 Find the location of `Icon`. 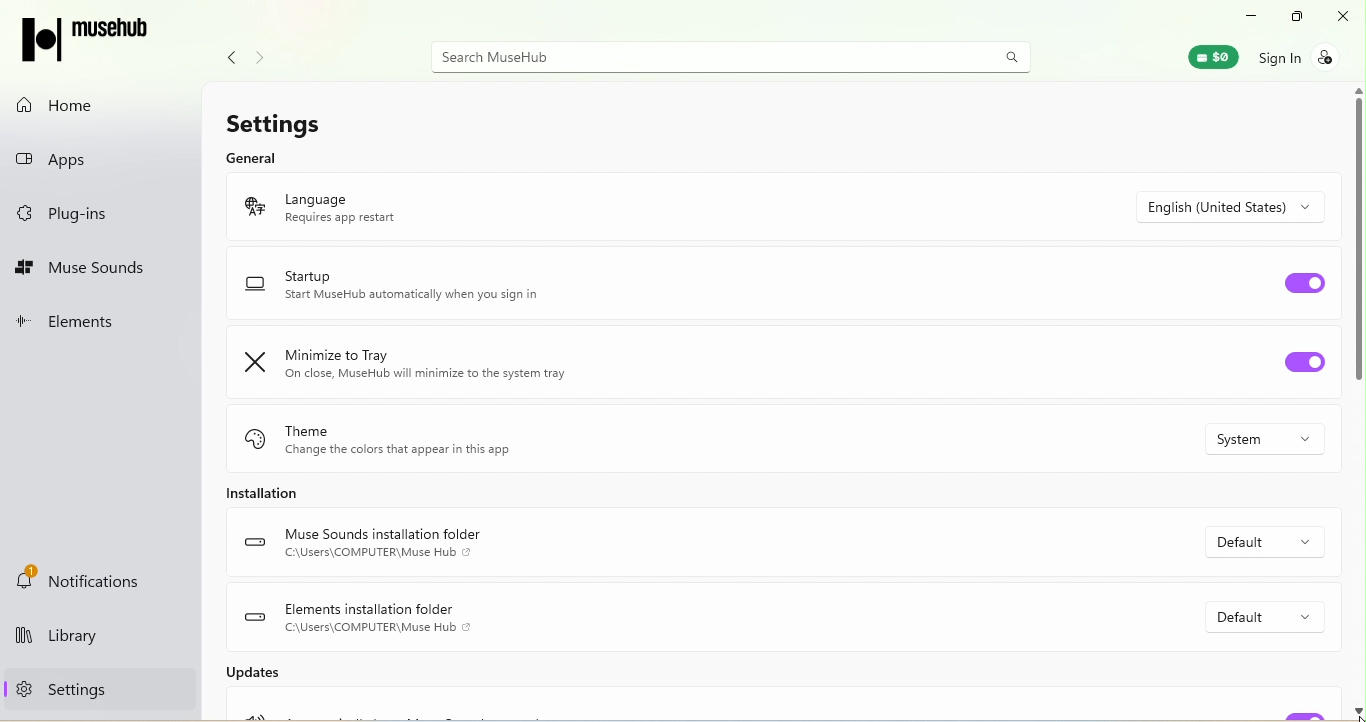

Icon is located at coordinates (251, 362).